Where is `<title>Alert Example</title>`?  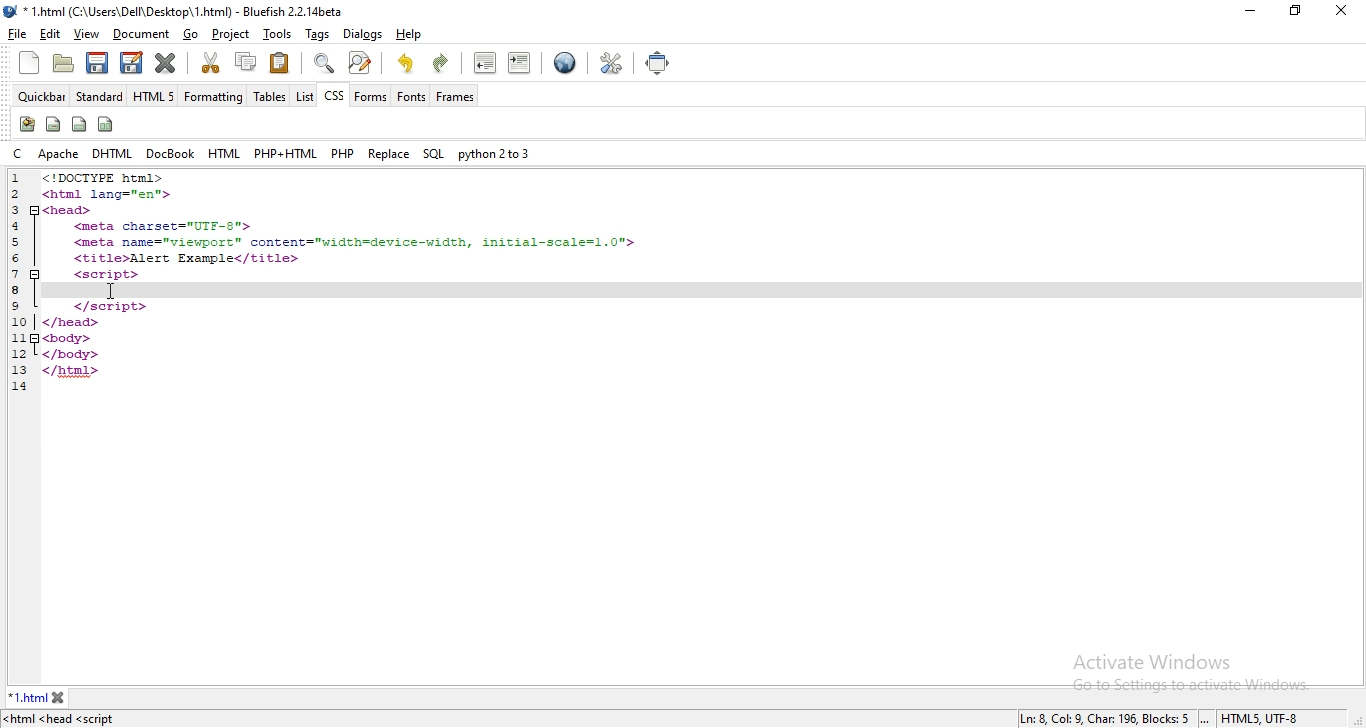
<title>Alert Example</title> is located at coordinates (186, 258).